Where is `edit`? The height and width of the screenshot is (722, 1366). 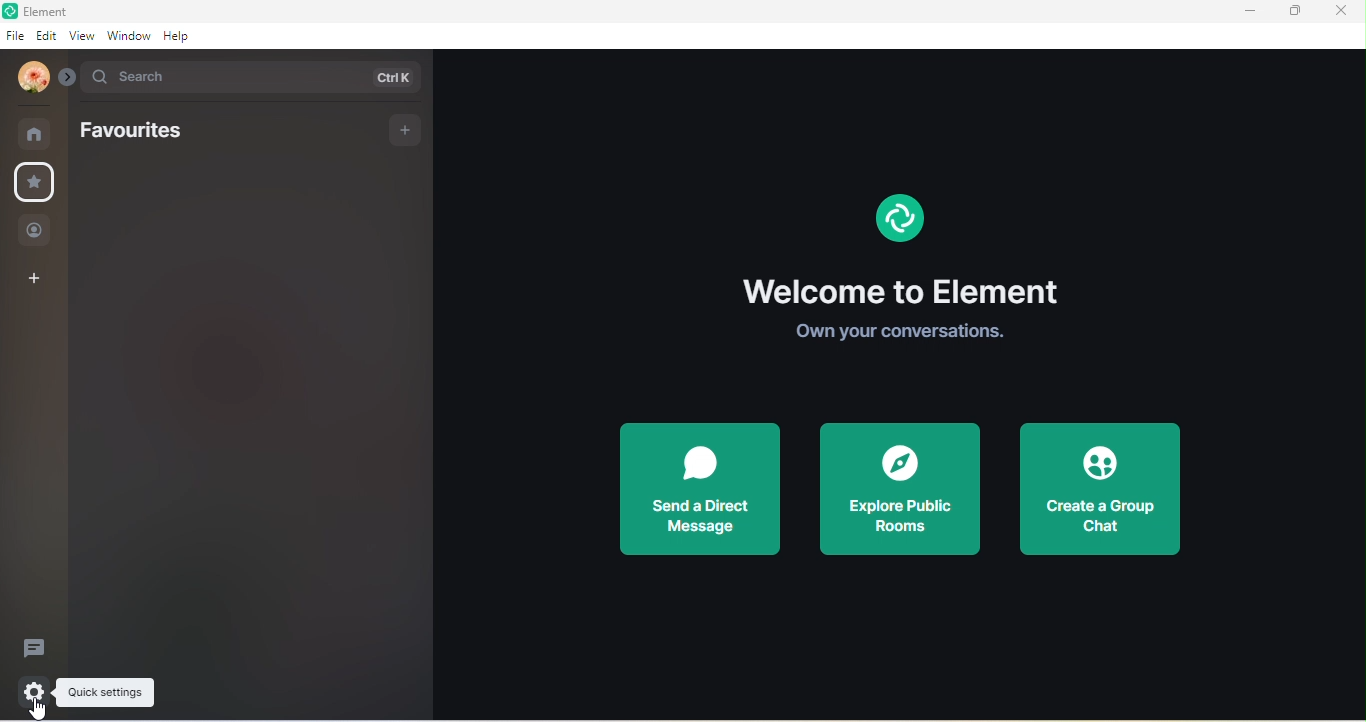
edit is located at coordinates (44, 35).